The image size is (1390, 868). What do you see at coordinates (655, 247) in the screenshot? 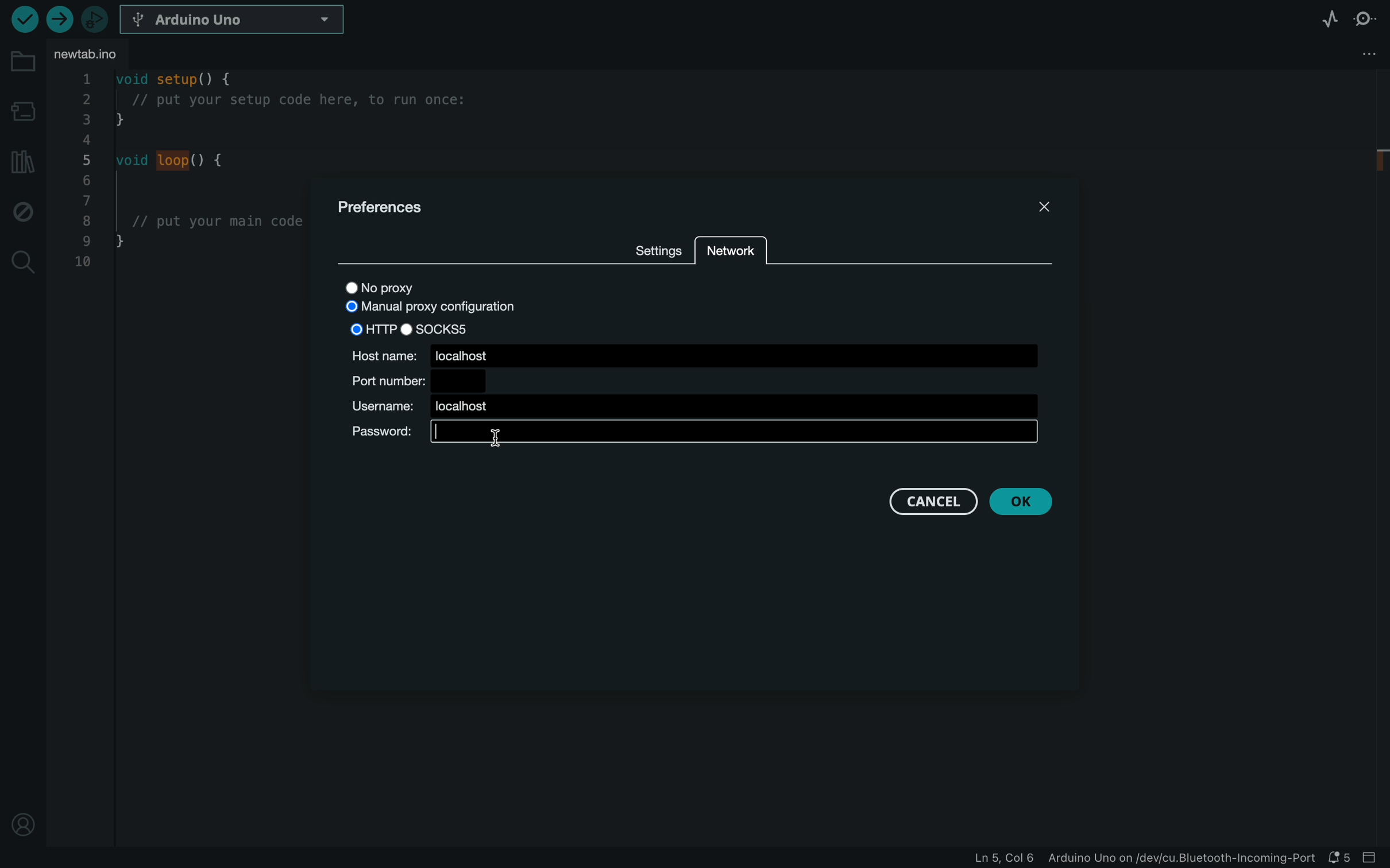
I see `settings` at bounding box center [655, 247].